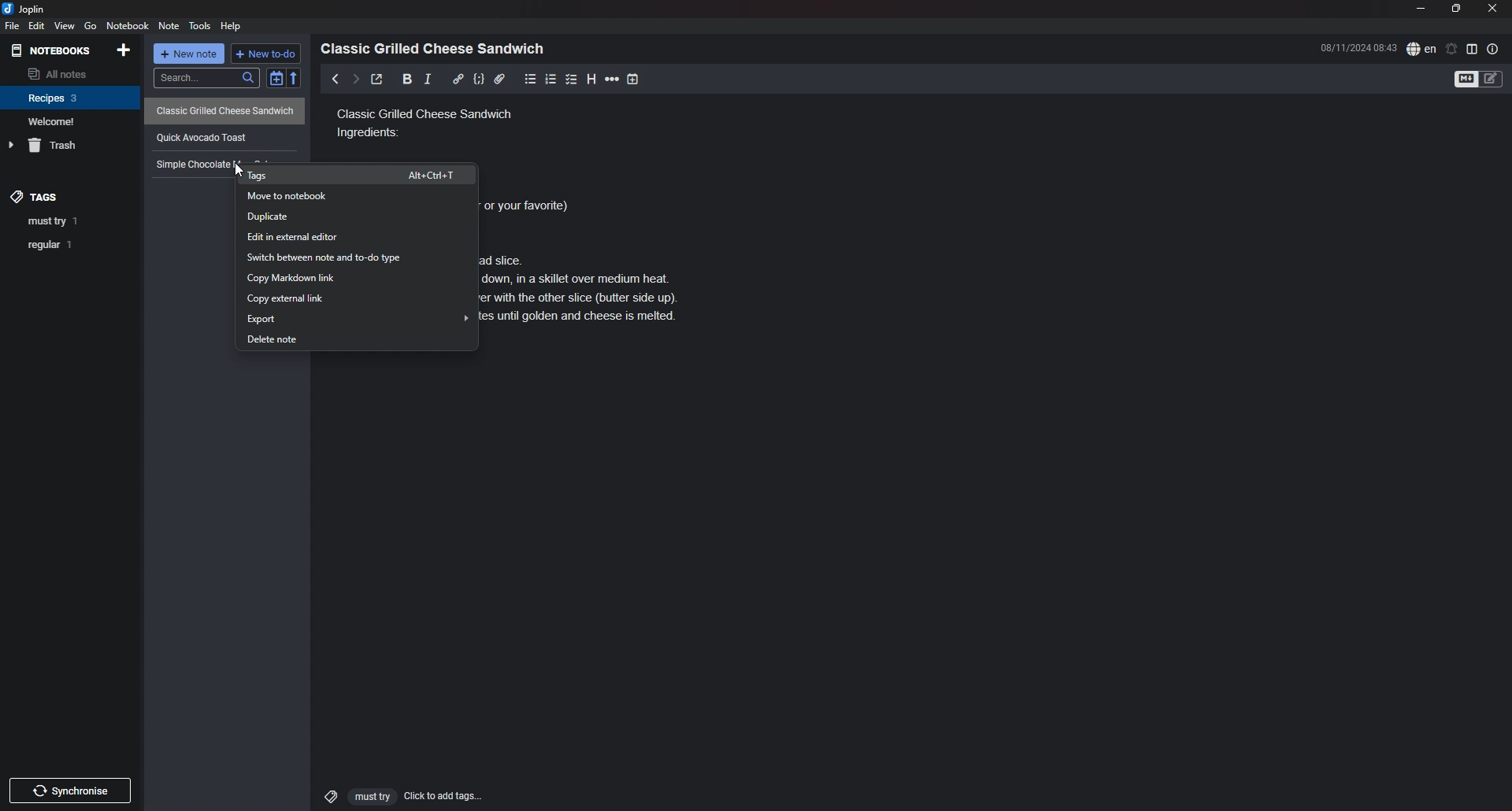 The height and width of the screenshot is (811, 1512). What do you see at coordinates (35, 26) in the screenshot?
I see `edit` at bounding box center [35, 26].